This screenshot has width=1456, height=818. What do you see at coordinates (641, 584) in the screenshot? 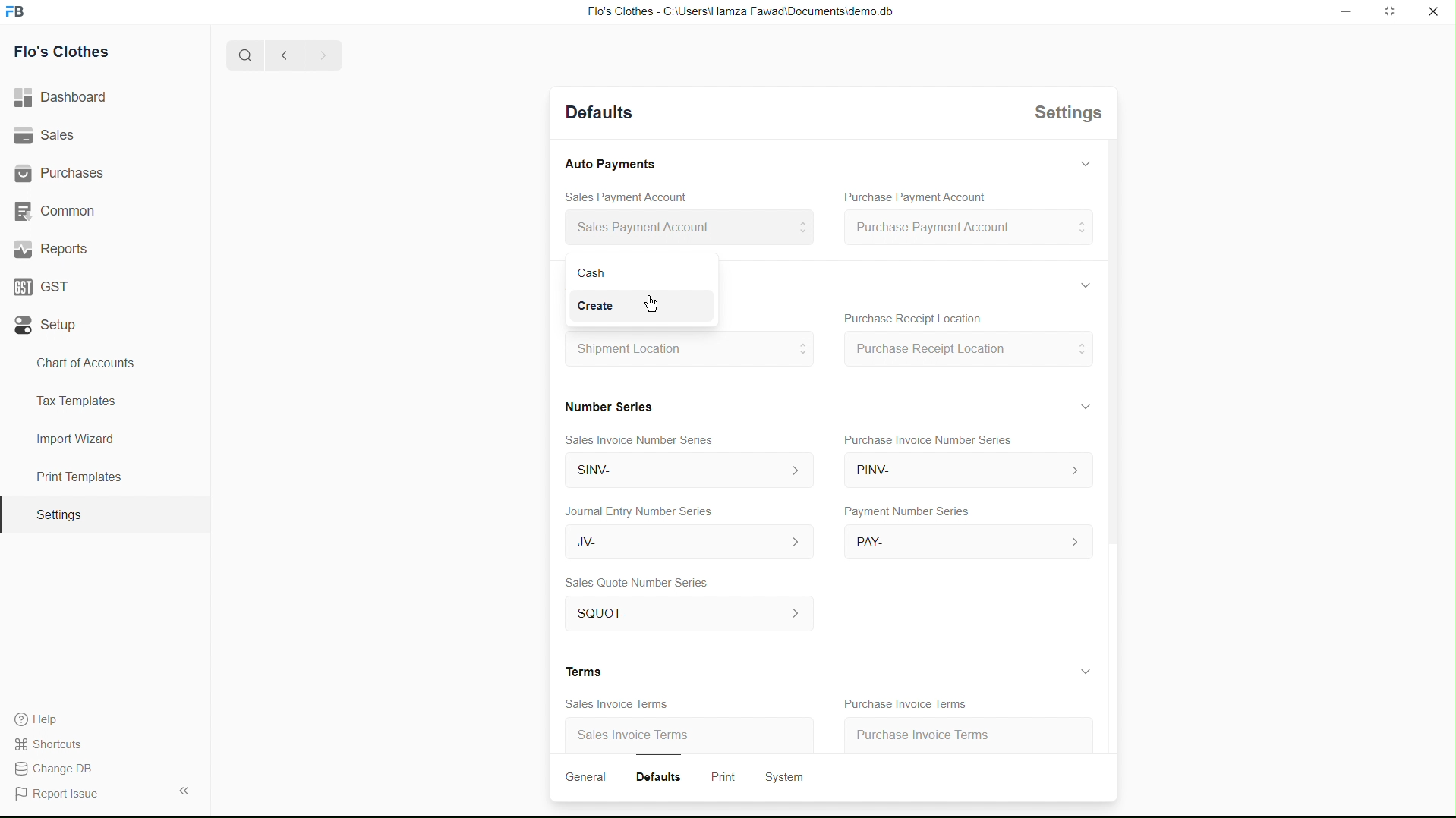
I see `Sales Quote Number Series` at bounding box center [641, 584].